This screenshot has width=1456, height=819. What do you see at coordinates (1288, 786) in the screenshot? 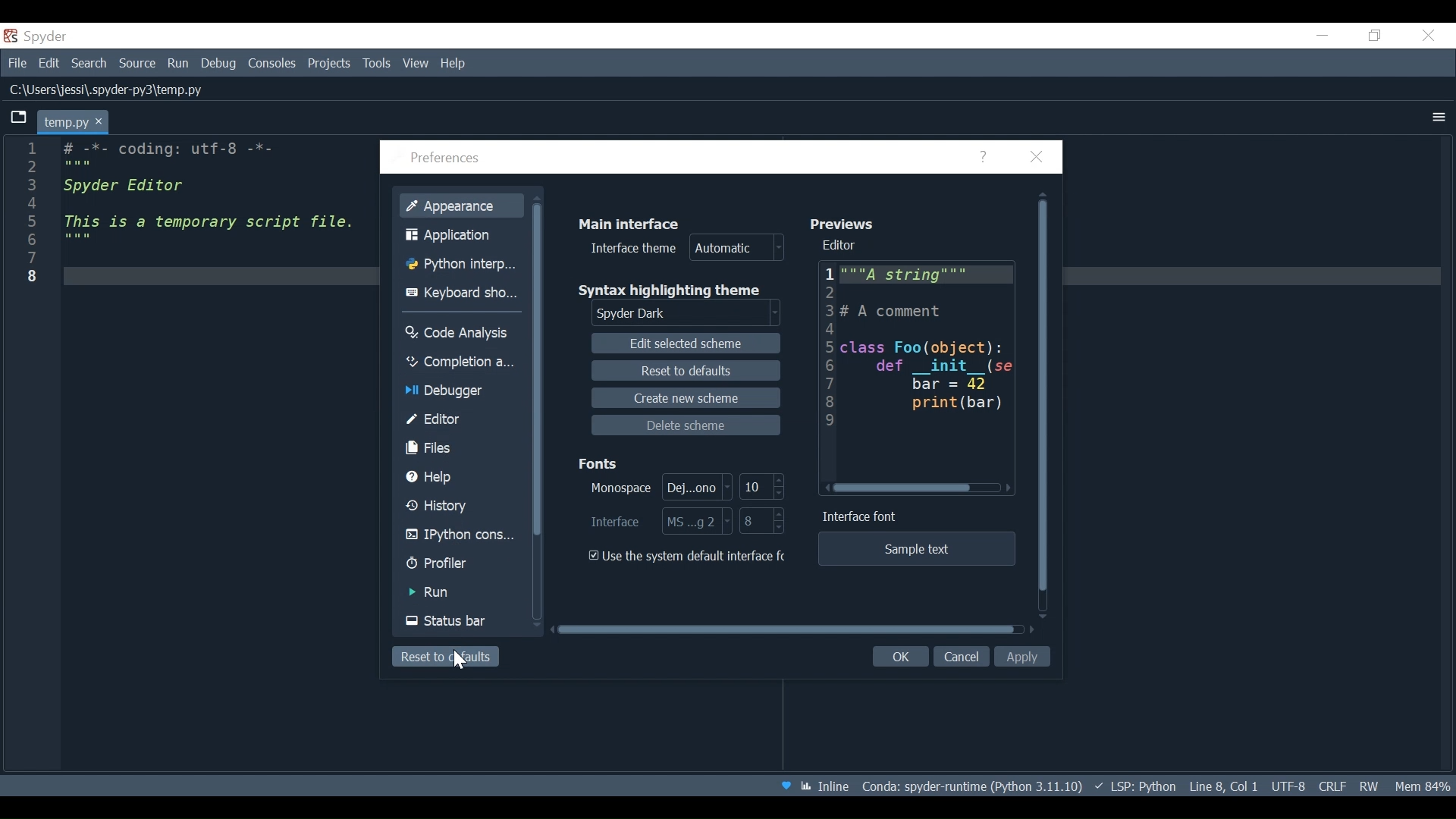
I see `File Encoding` at bounding box center [1288, 786].